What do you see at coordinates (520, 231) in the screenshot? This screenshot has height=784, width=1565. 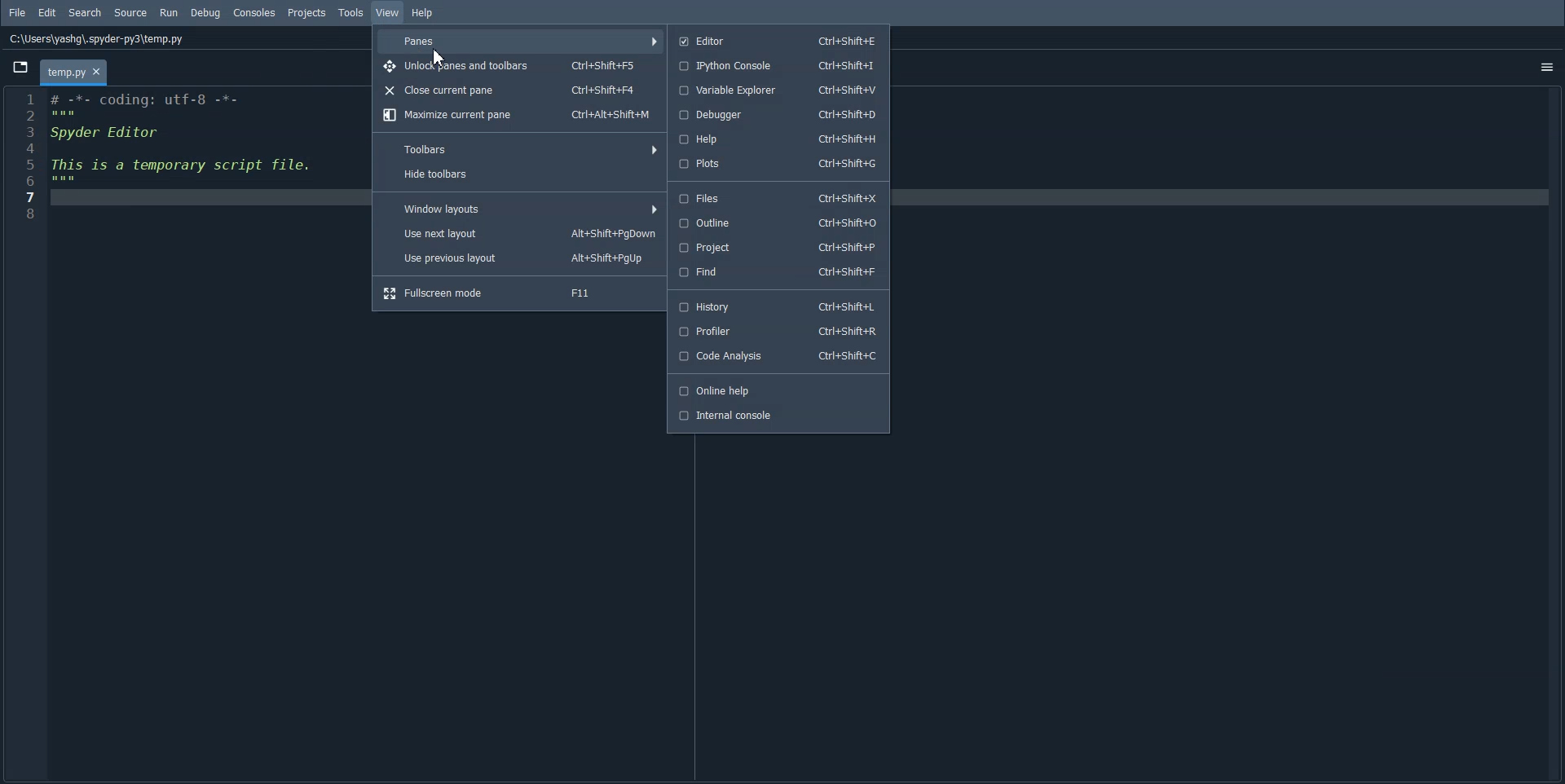 I see `Use next layout` at bounding box center [520, 231].